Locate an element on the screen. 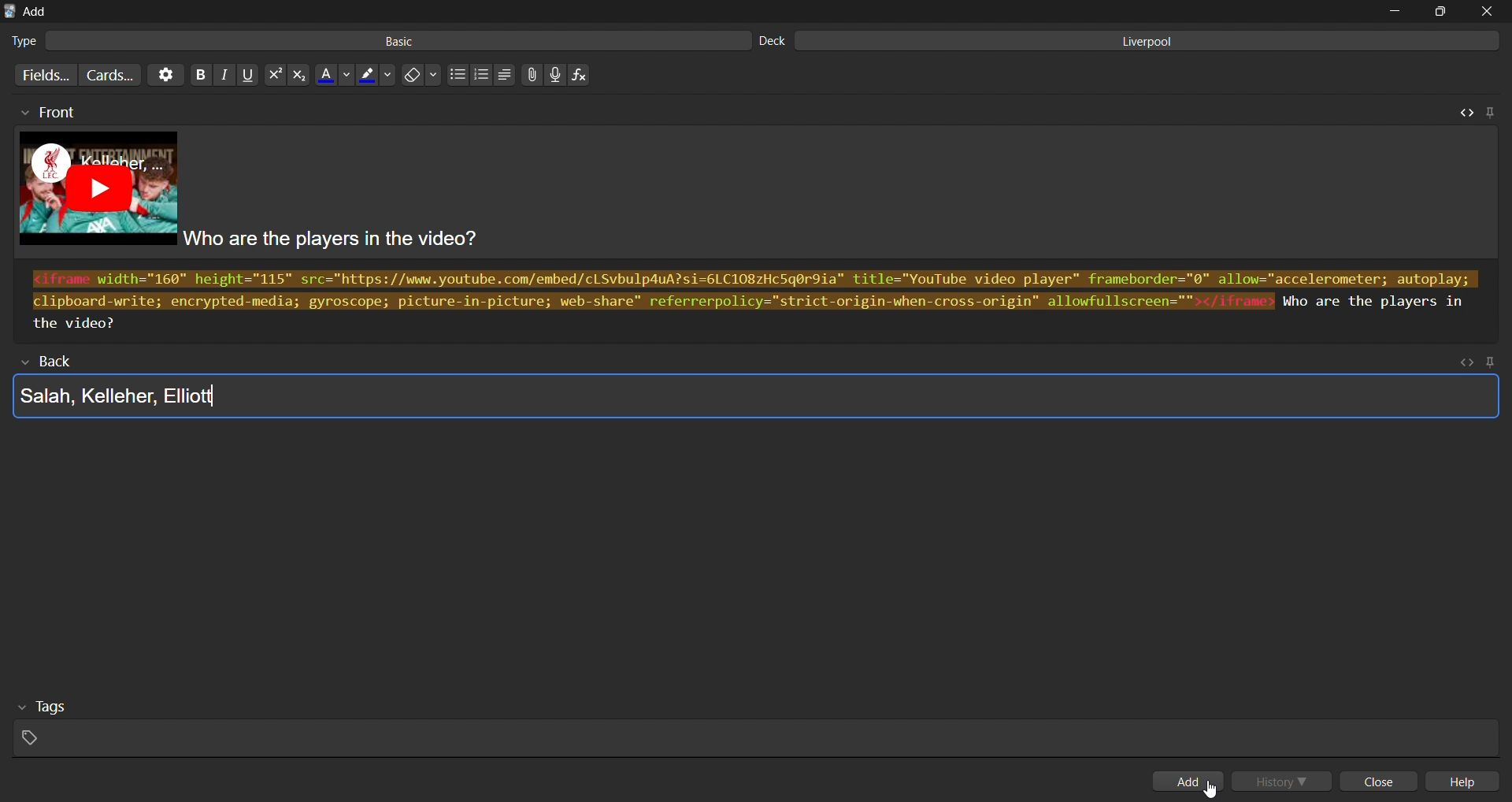 Image resolution: width=1512 pixels, height=802 pixels. customize fields is located at coordinates (42, 75).